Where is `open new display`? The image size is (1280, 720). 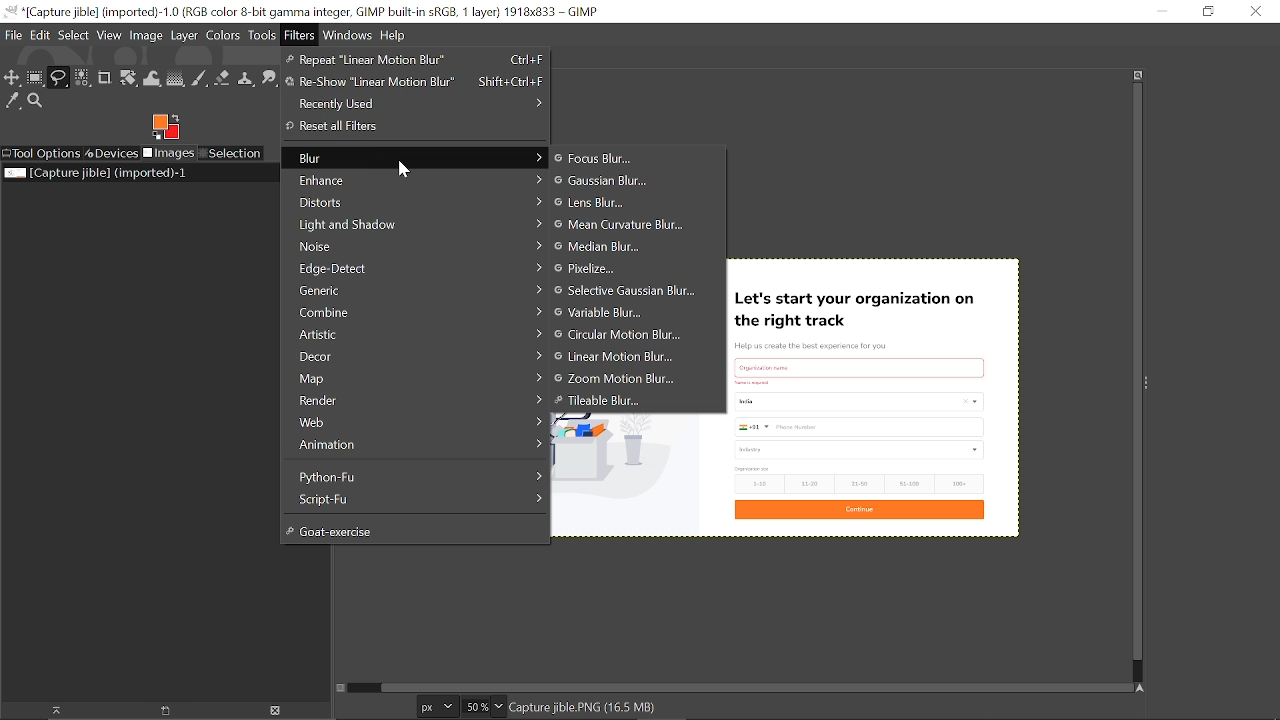 open new display is located at coordinates (158, 711).